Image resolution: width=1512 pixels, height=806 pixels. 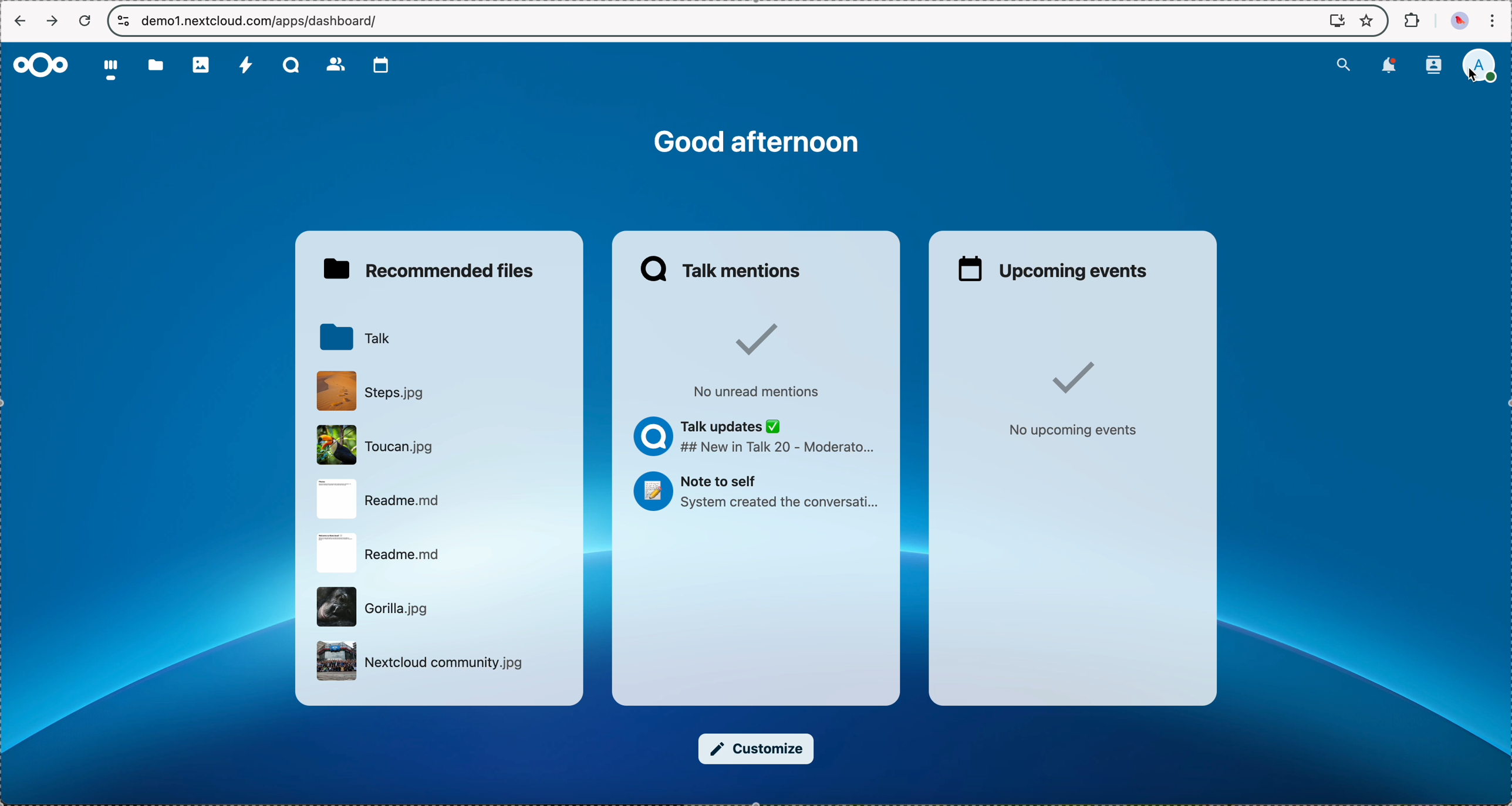 I want to click on upcoming events, so click(x=1055, y=268).